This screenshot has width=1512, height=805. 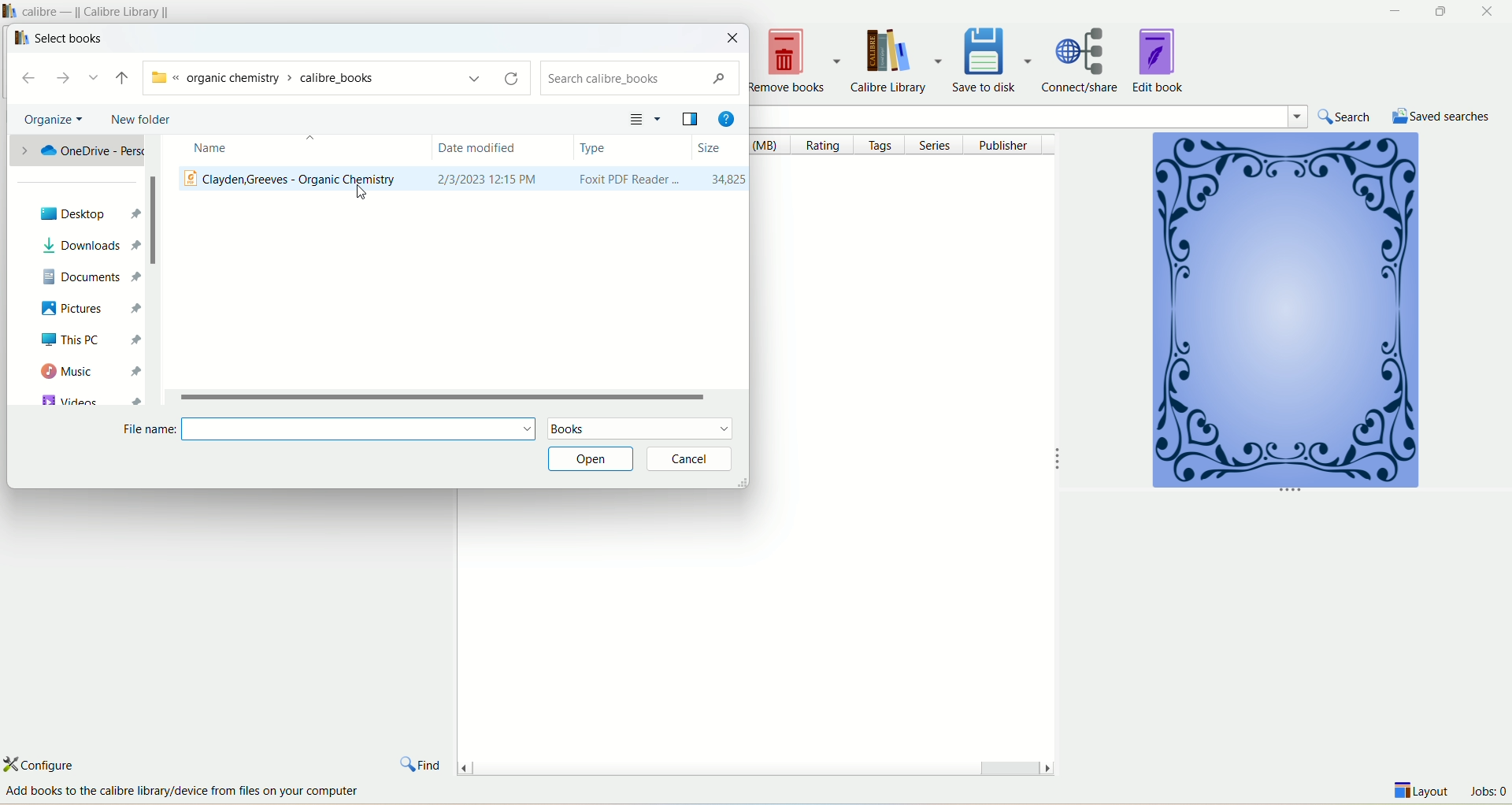 What do you see at coordinates (1440, 12) in the screenshot?
I see `maximize` at bounding box center [1440, 12].